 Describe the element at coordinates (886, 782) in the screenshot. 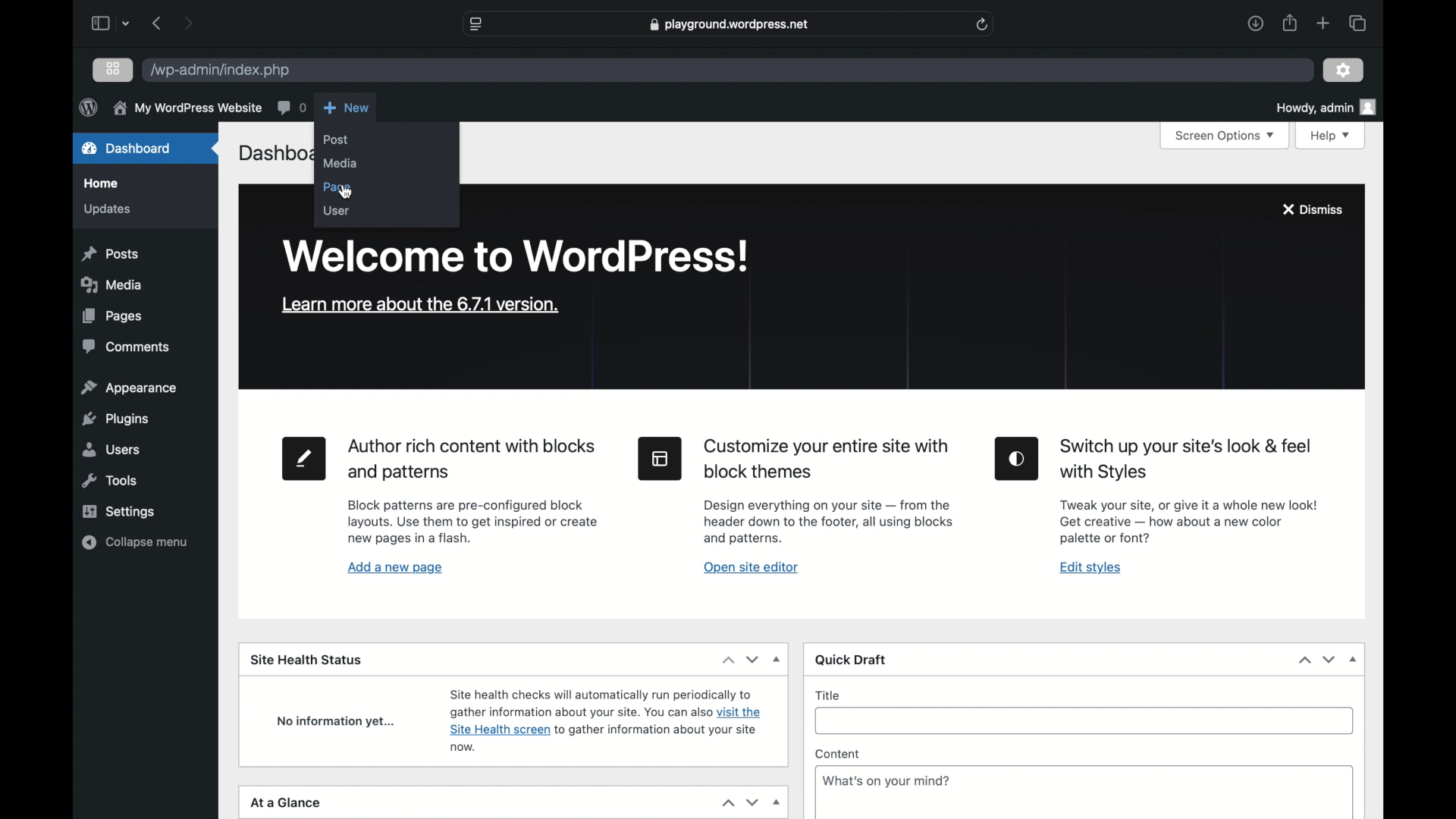

I see `What's on your mind?` at that location.